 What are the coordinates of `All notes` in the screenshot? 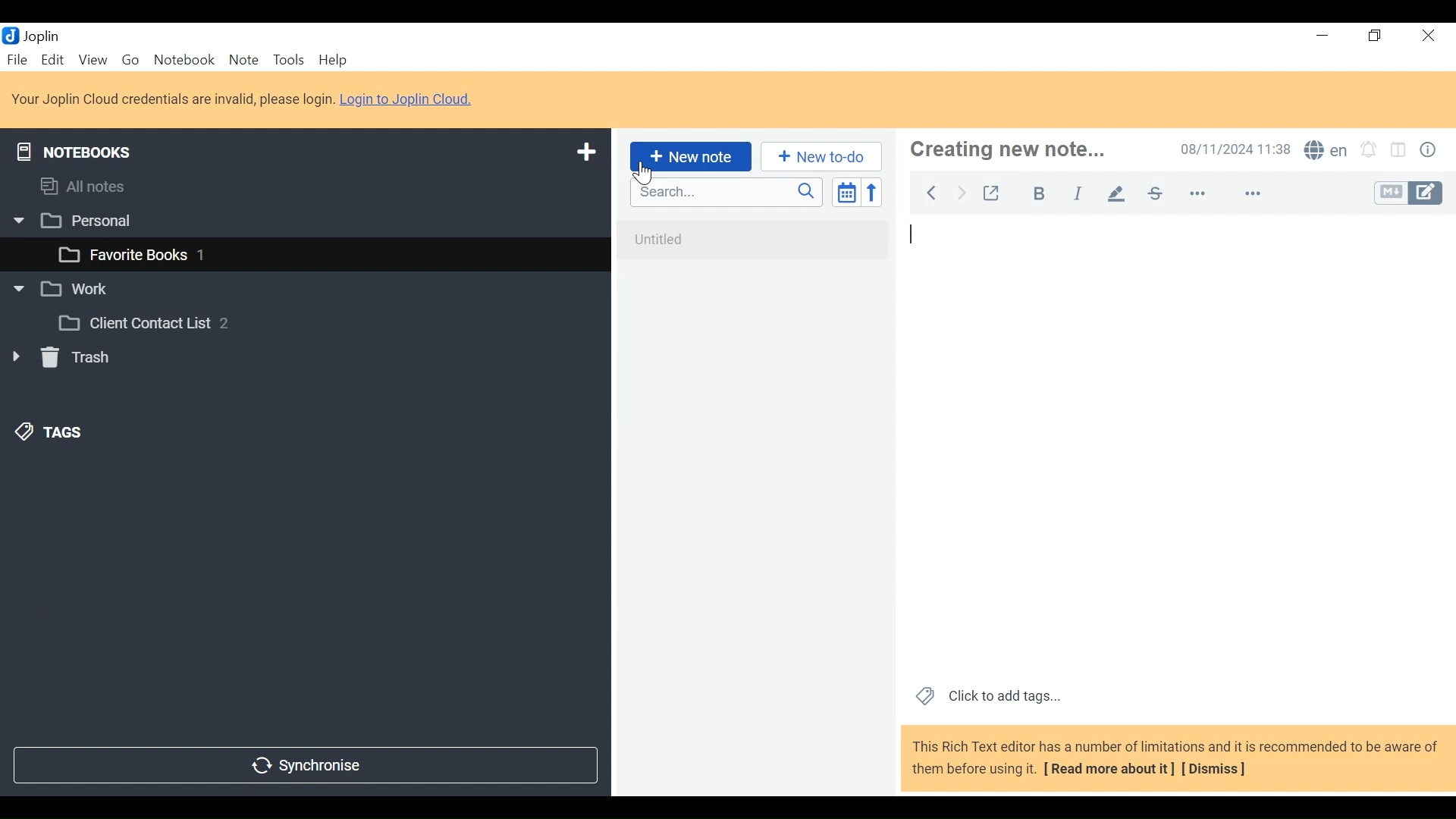 It's located at (84, 187).